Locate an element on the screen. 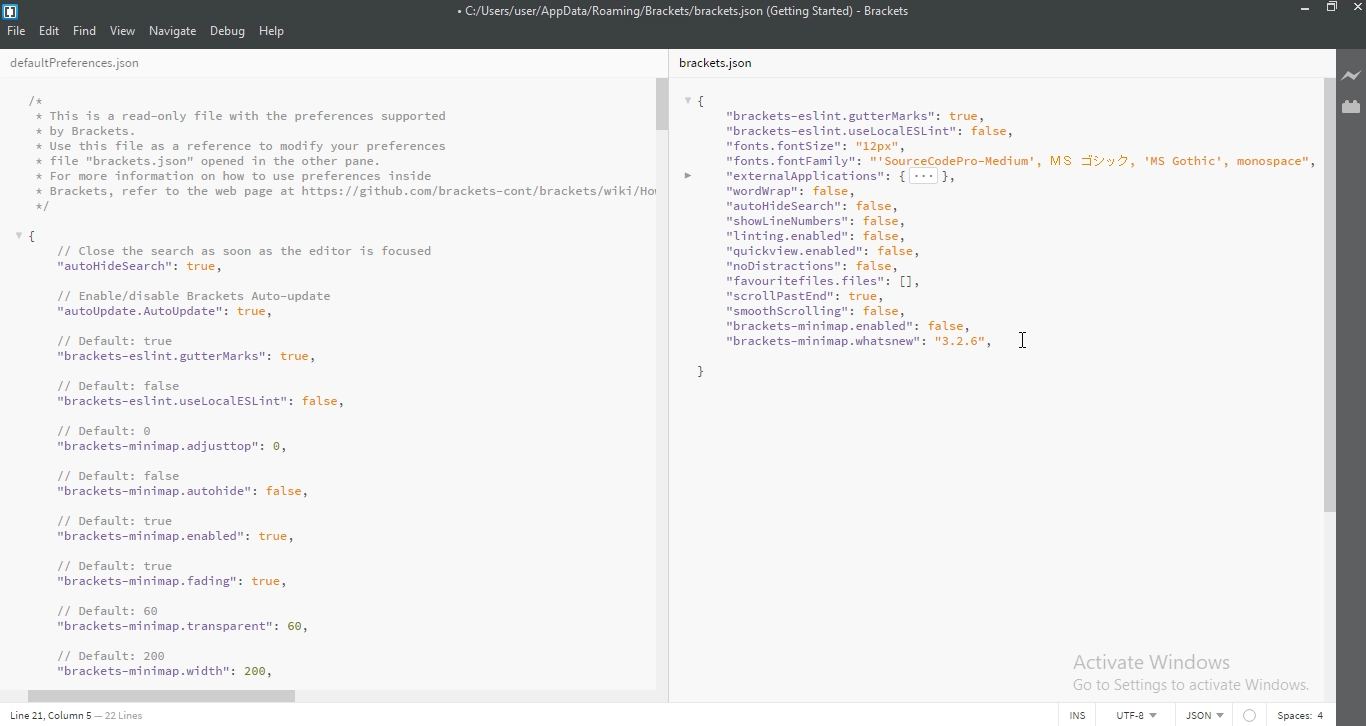 The image size is (1366, 726). View  is located at coordinates (123, 30).